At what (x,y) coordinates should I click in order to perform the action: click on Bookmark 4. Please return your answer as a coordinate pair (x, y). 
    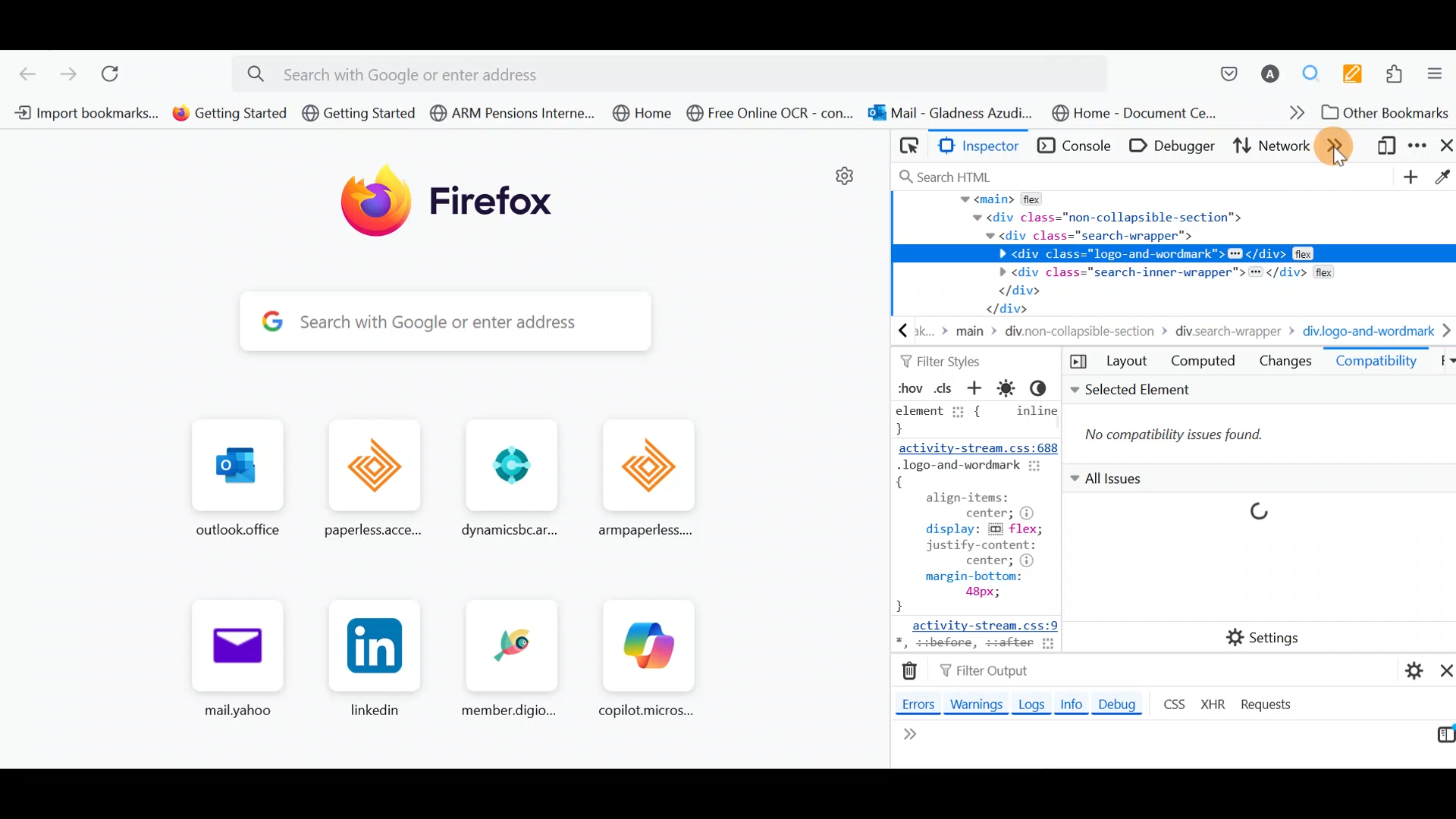
    Looking at the image, I should click on (512, 113).